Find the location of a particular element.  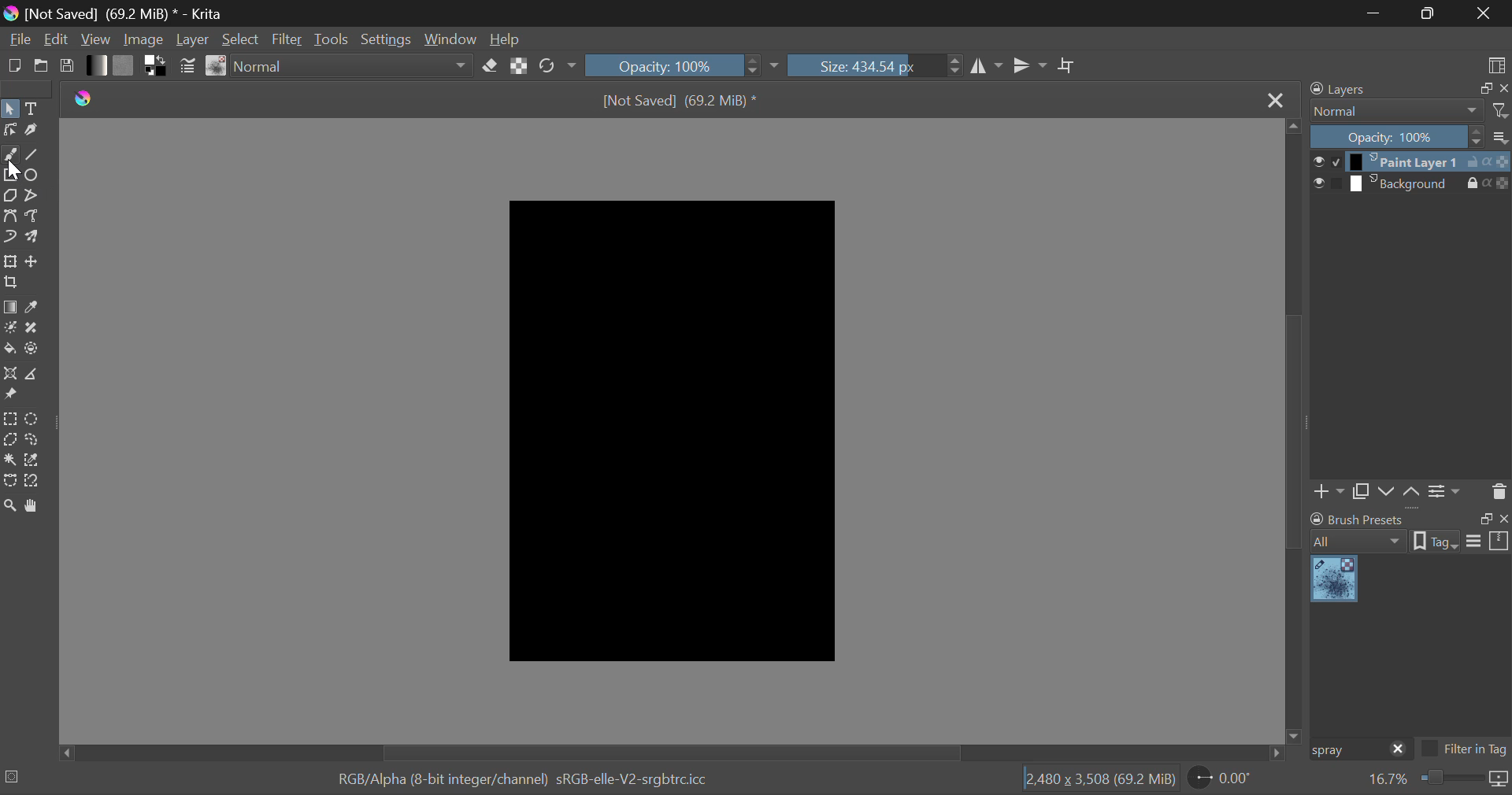

Eraser is located at coordinates (490, 66).